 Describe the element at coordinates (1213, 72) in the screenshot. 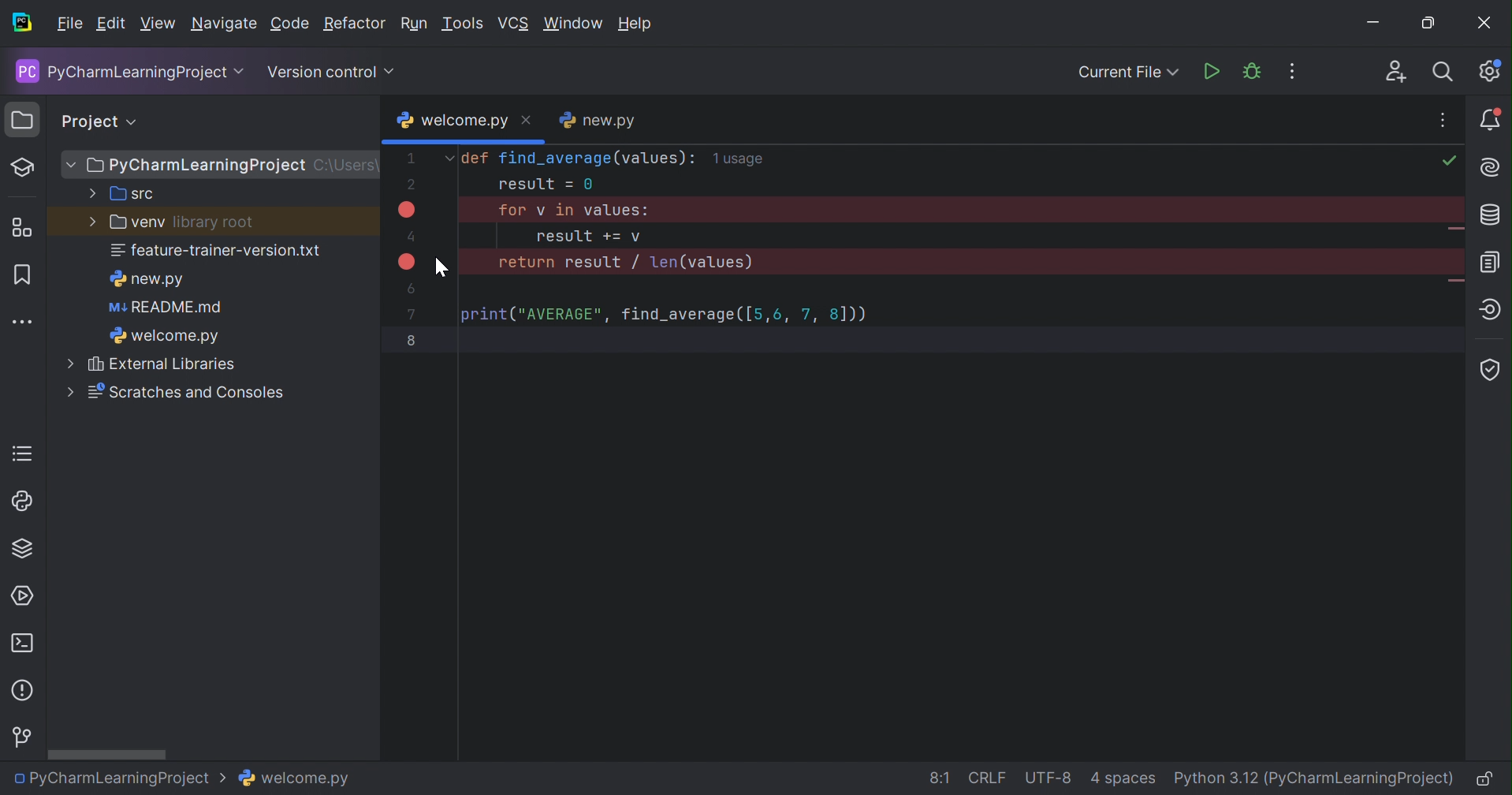

I see `Run 'welcome.py'` at that location.